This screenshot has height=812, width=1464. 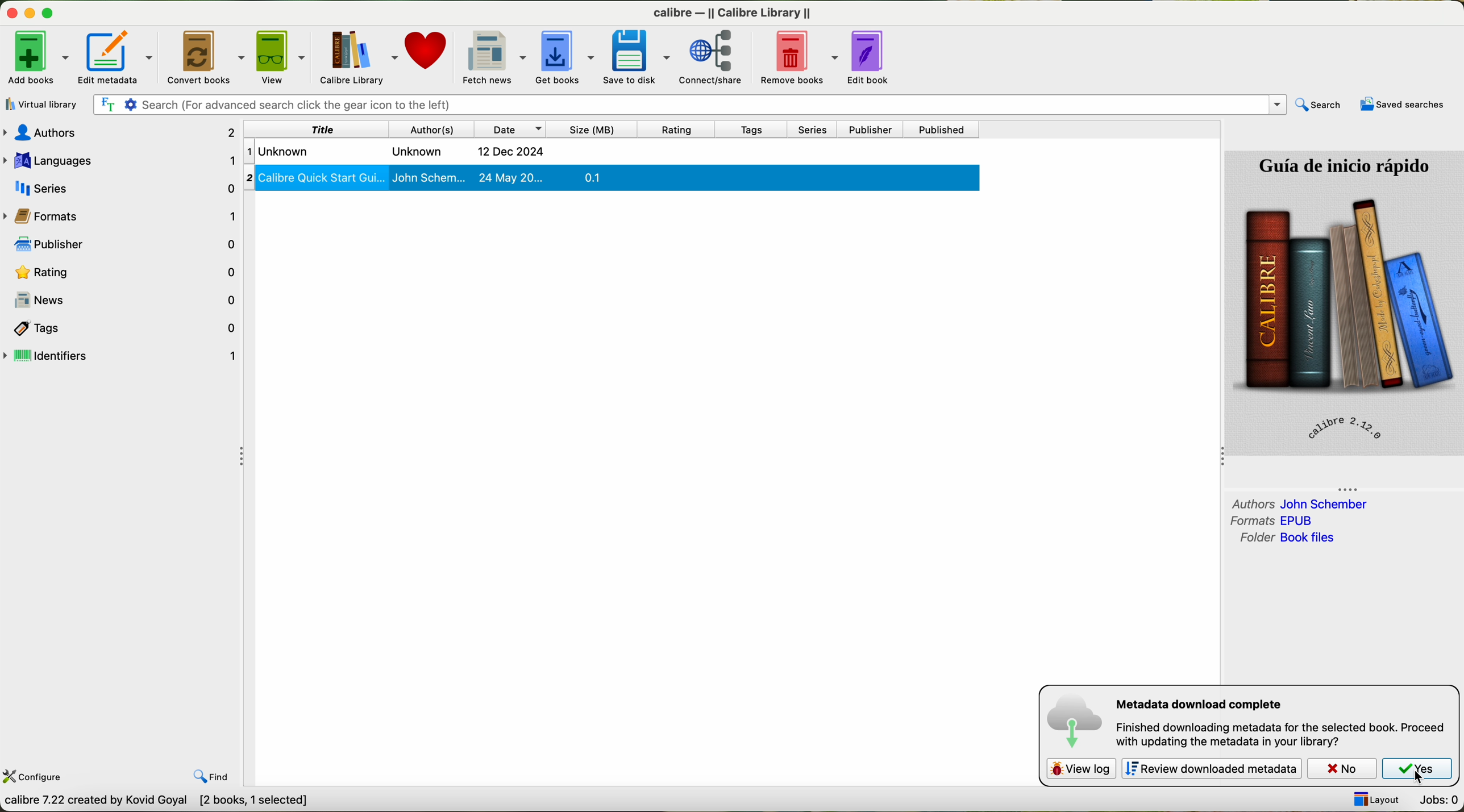 What do you see at coordinates (1286, 539) in the screenshot?
I see `folder` at bounding box center [1286, 539].